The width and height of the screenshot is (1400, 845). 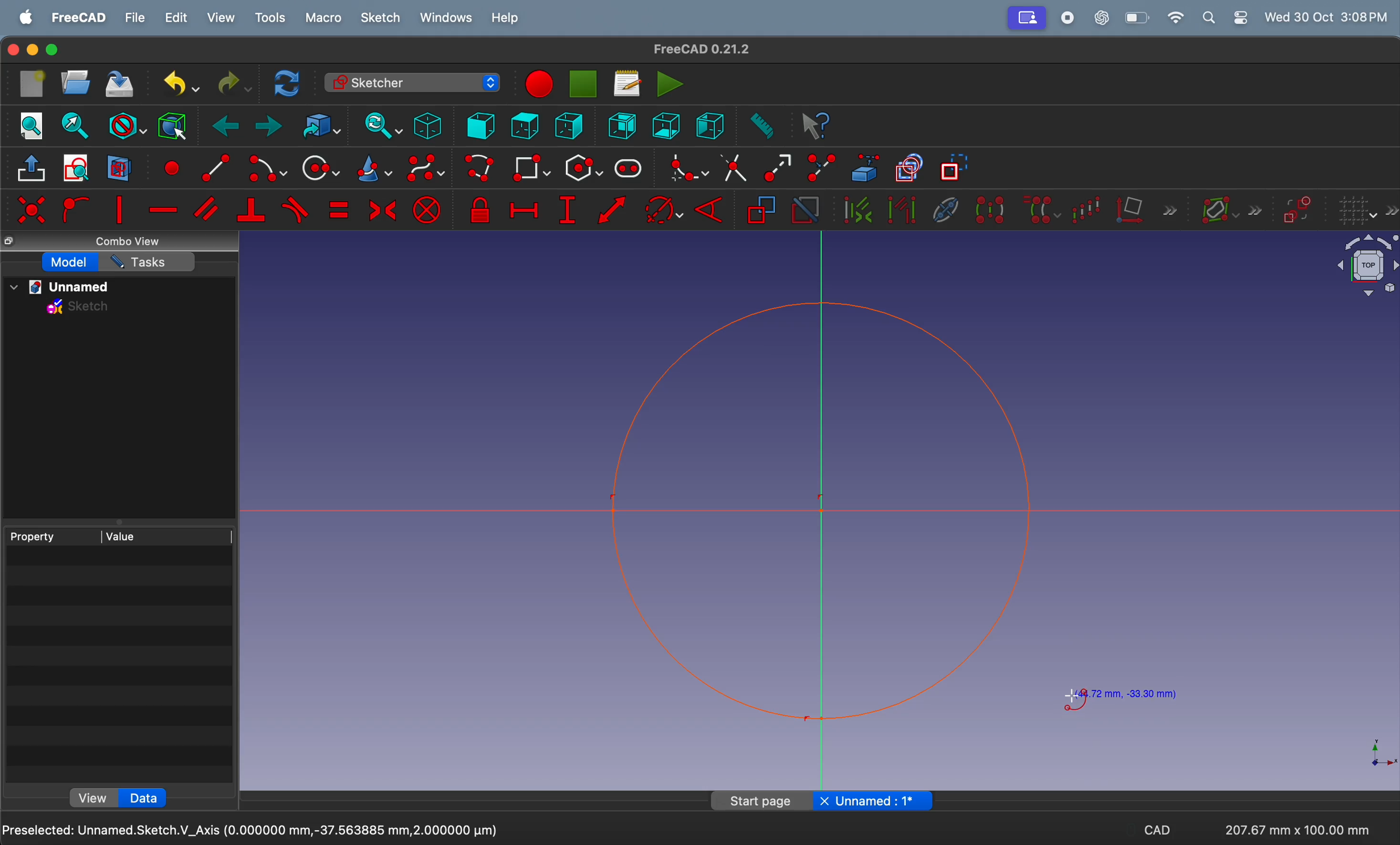 I want to click on sketcher workbench, so click(x=411, y=82).